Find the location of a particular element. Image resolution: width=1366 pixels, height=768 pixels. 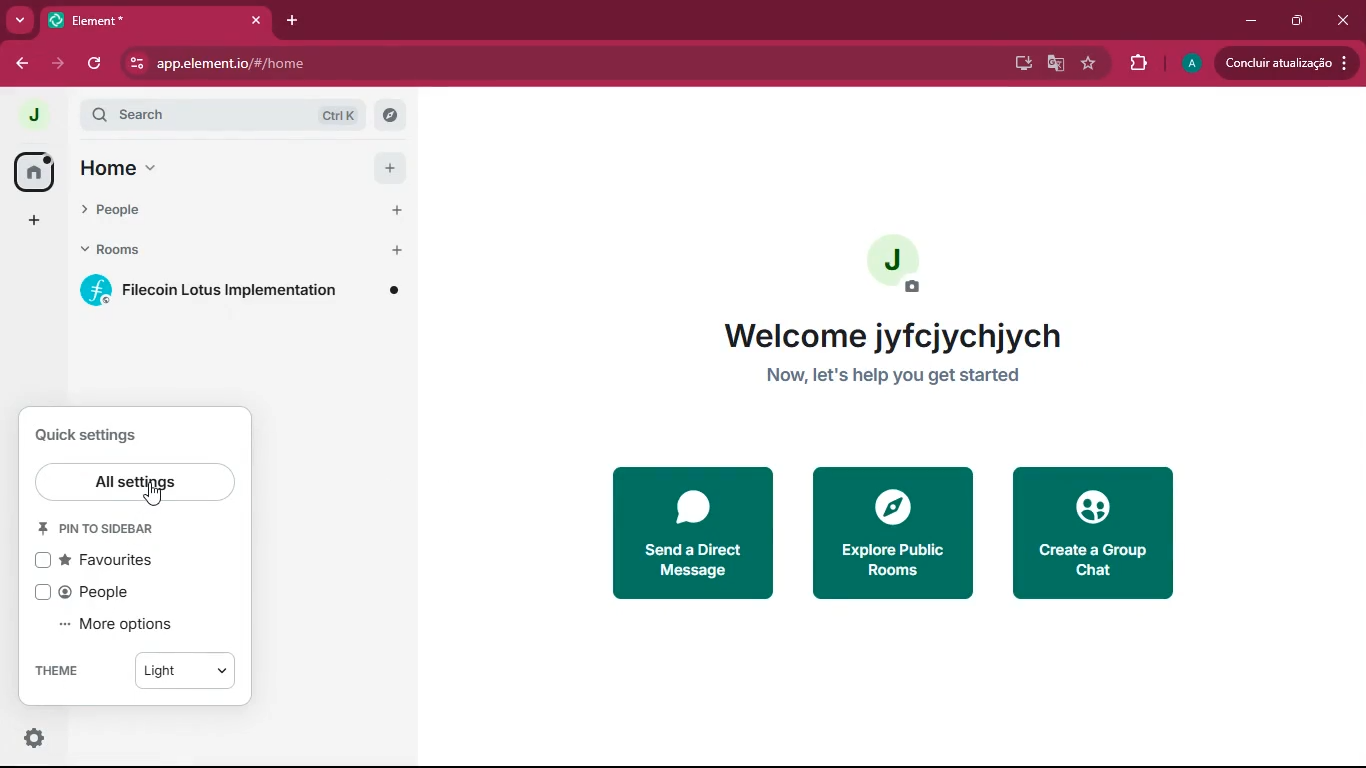

more options is located at coordinates (131, 626).